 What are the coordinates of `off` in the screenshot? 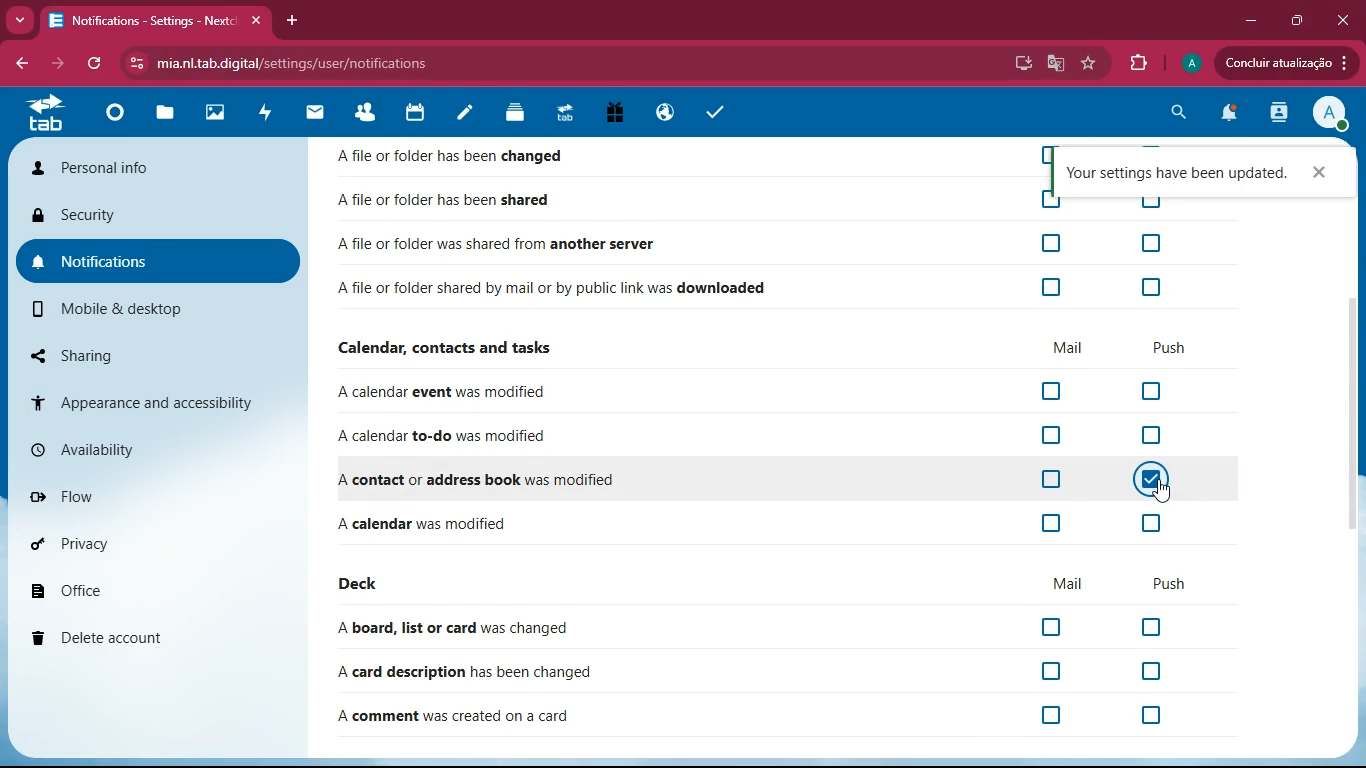 It's located at (1159, 393).